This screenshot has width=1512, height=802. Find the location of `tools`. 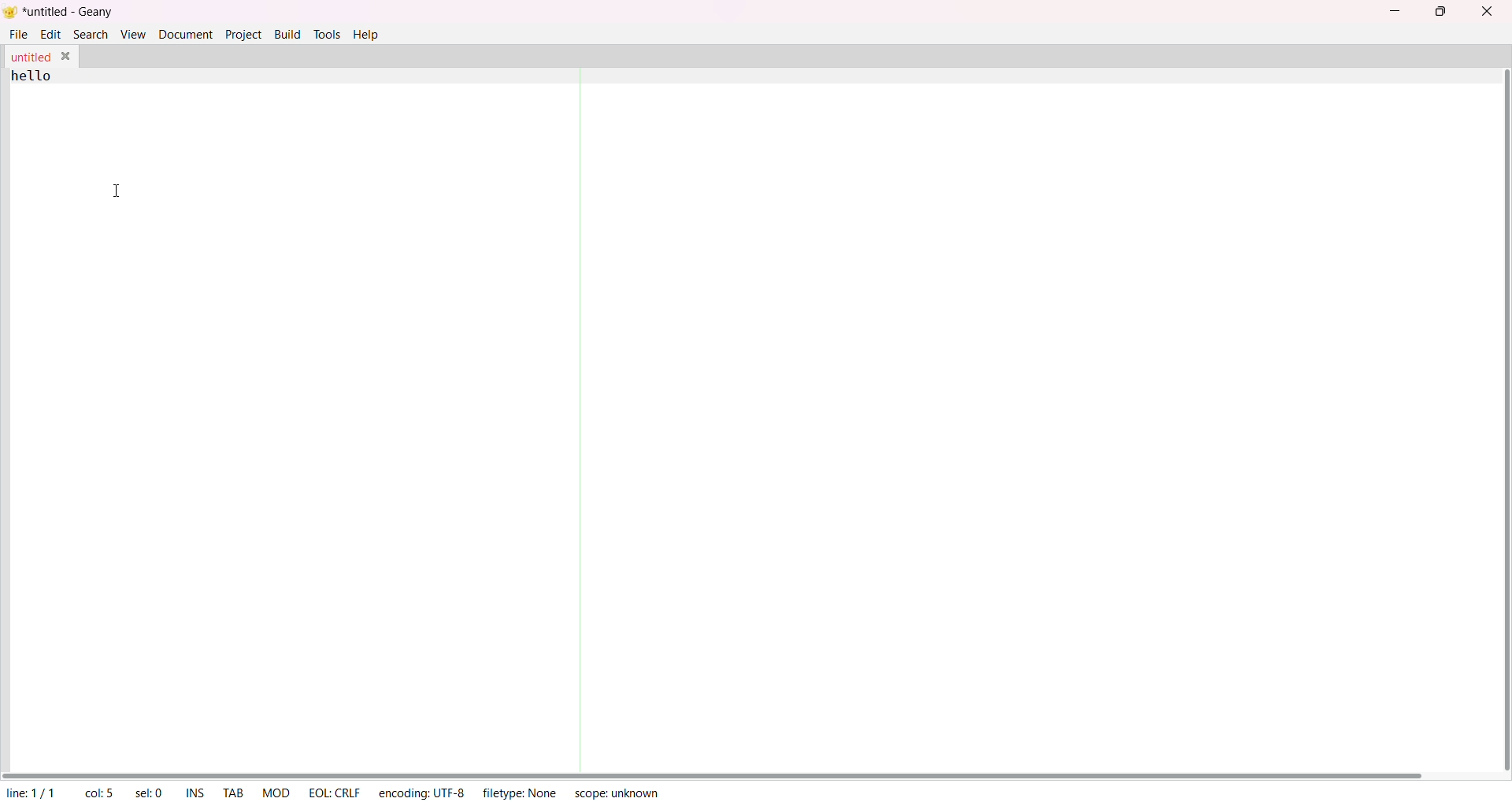

tools is located at coordinates (327, 34).